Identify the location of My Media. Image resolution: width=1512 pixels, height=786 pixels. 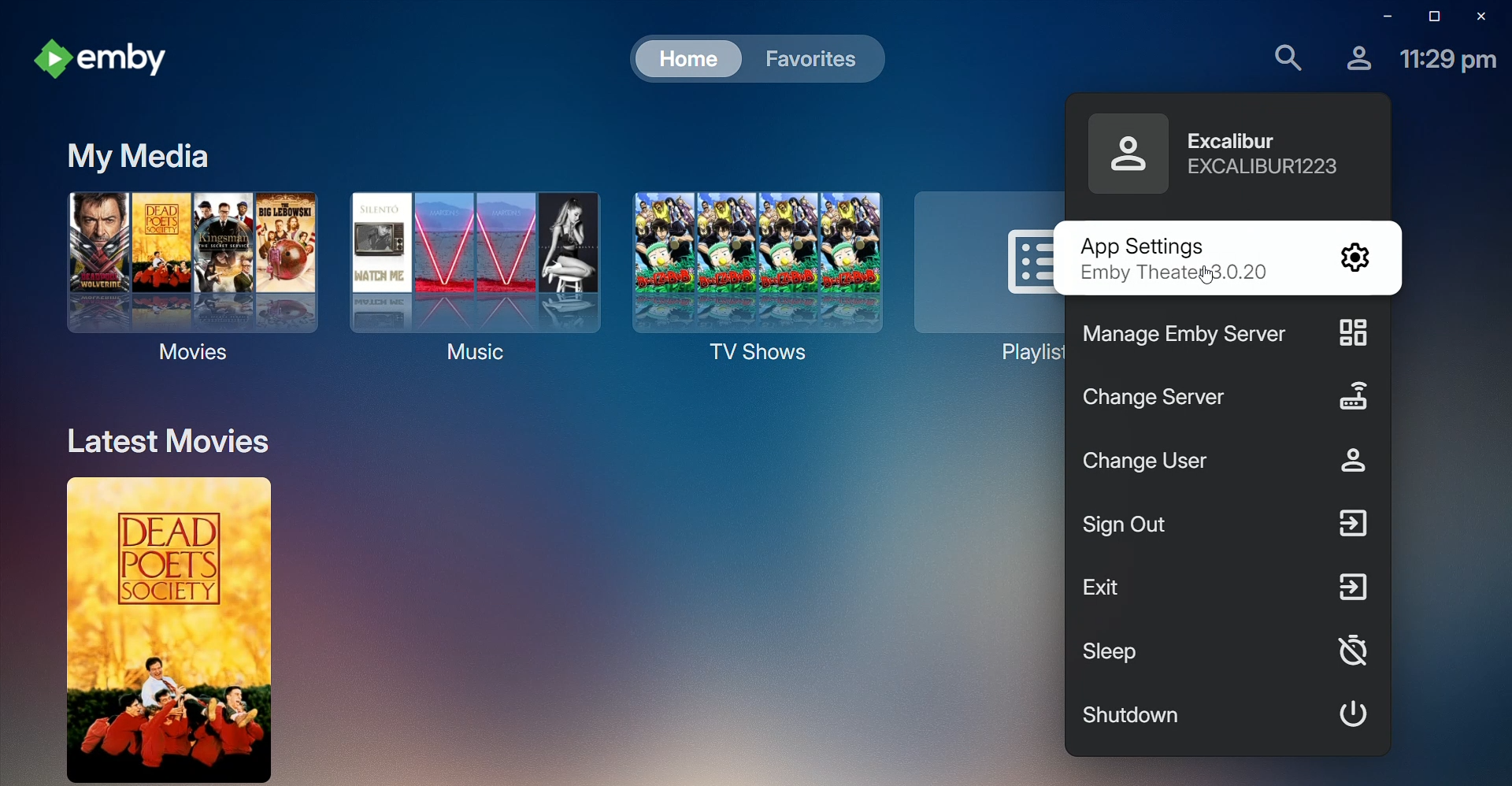
(139, 152).